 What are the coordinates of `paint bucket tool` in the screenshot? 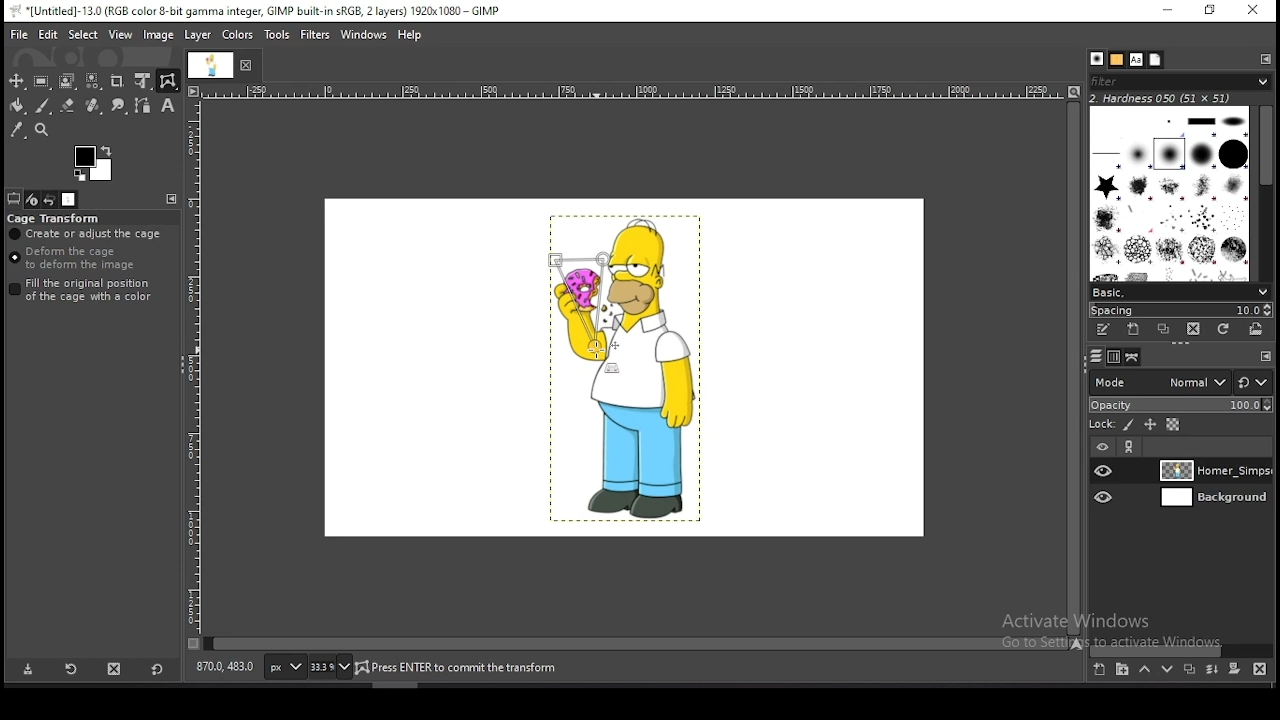 It's located at (17, 105).